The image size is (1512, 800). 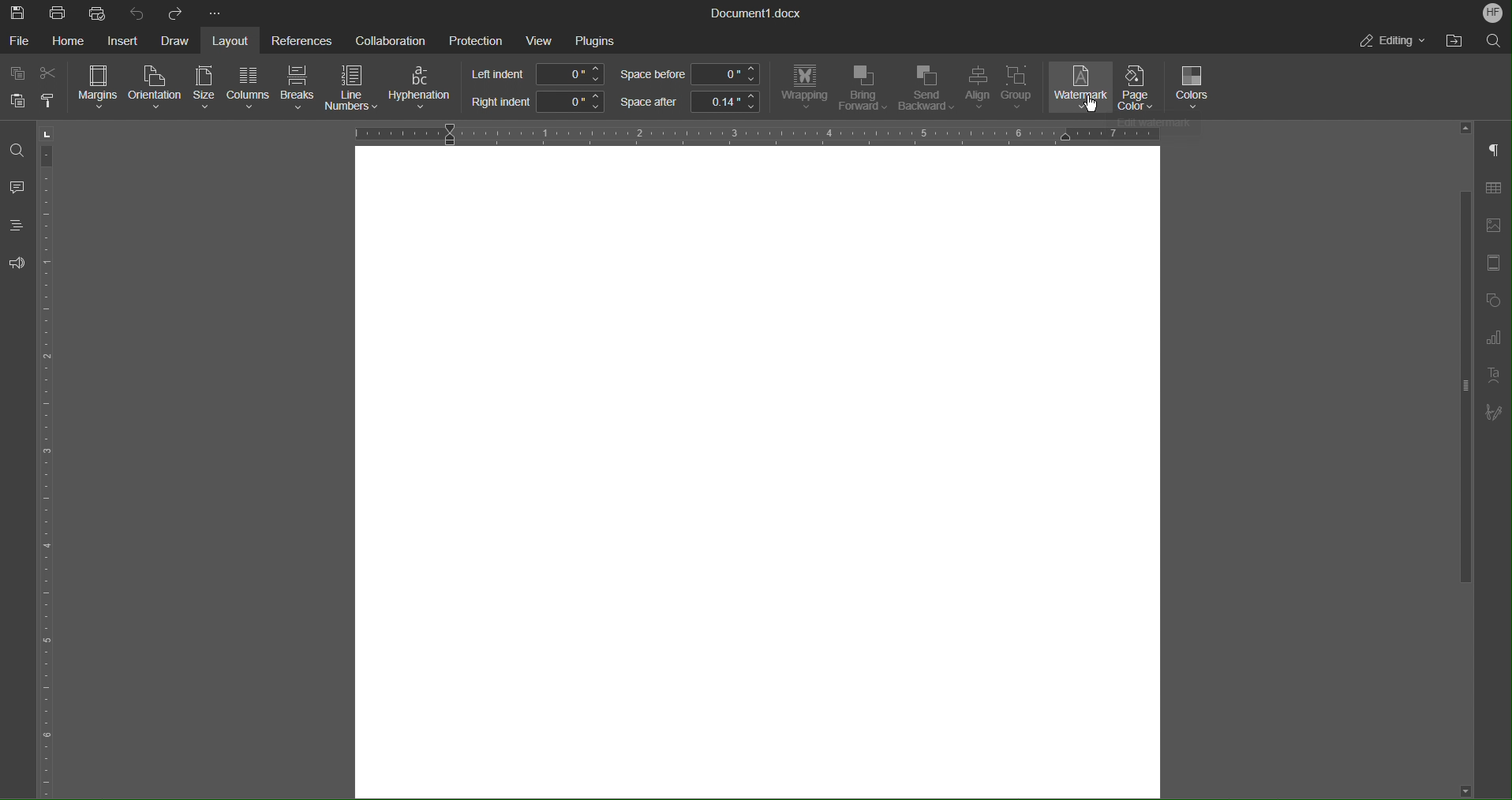 I want to click on References, so click(x=299, y=40).